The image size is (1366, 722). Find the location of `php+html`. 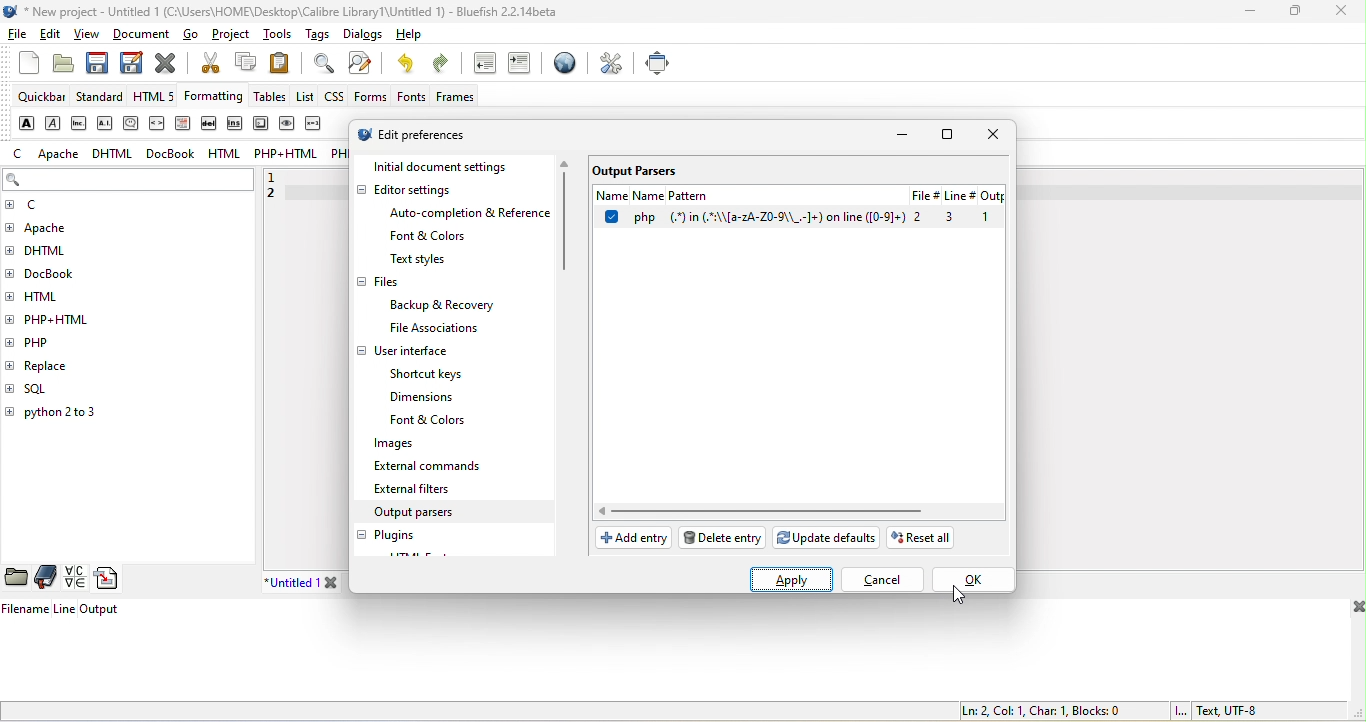

php+html is located at coordinates (287, 156).